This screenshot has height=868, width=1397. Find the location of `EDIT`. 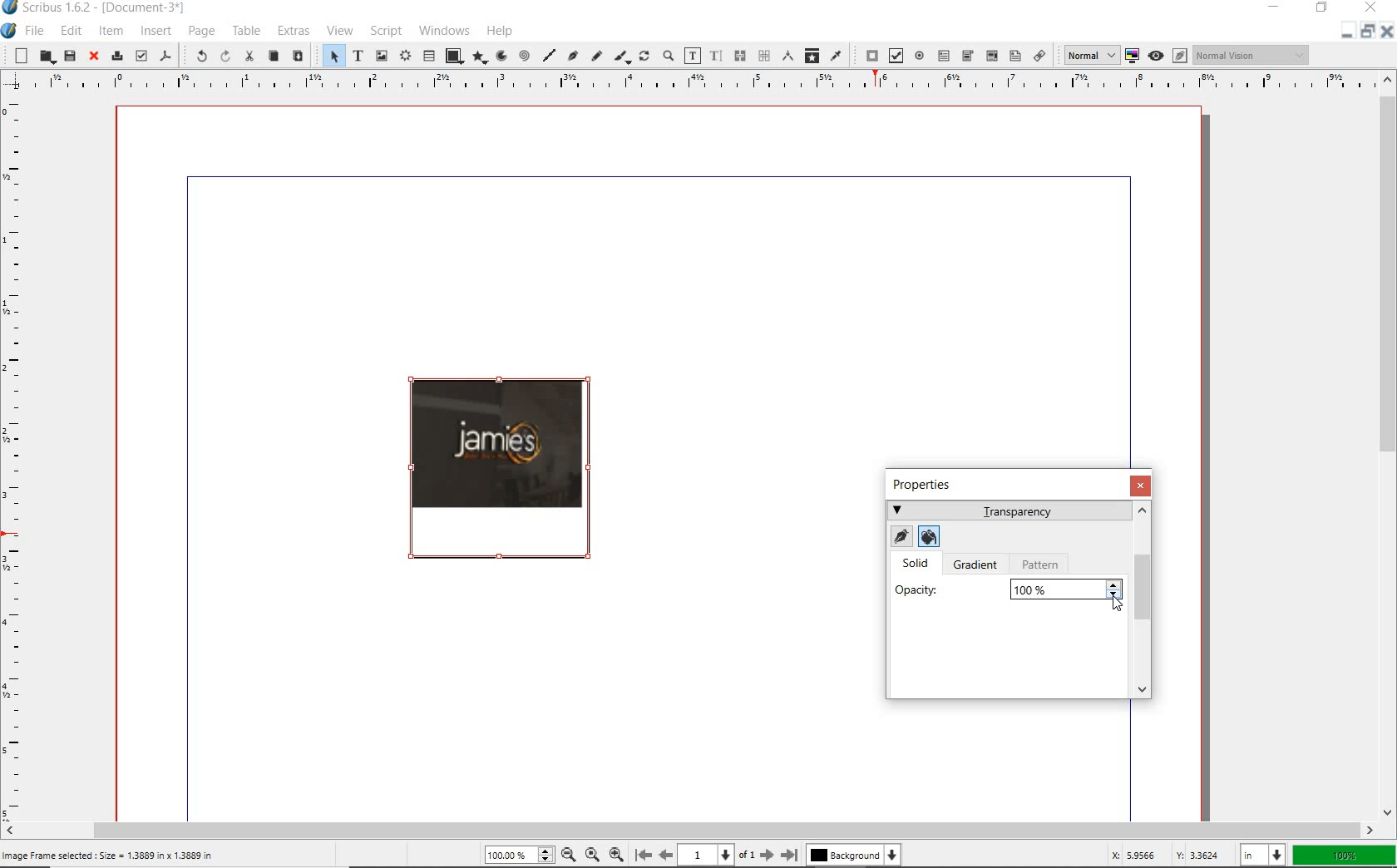

EDIT is located at coordinates (71, 31).